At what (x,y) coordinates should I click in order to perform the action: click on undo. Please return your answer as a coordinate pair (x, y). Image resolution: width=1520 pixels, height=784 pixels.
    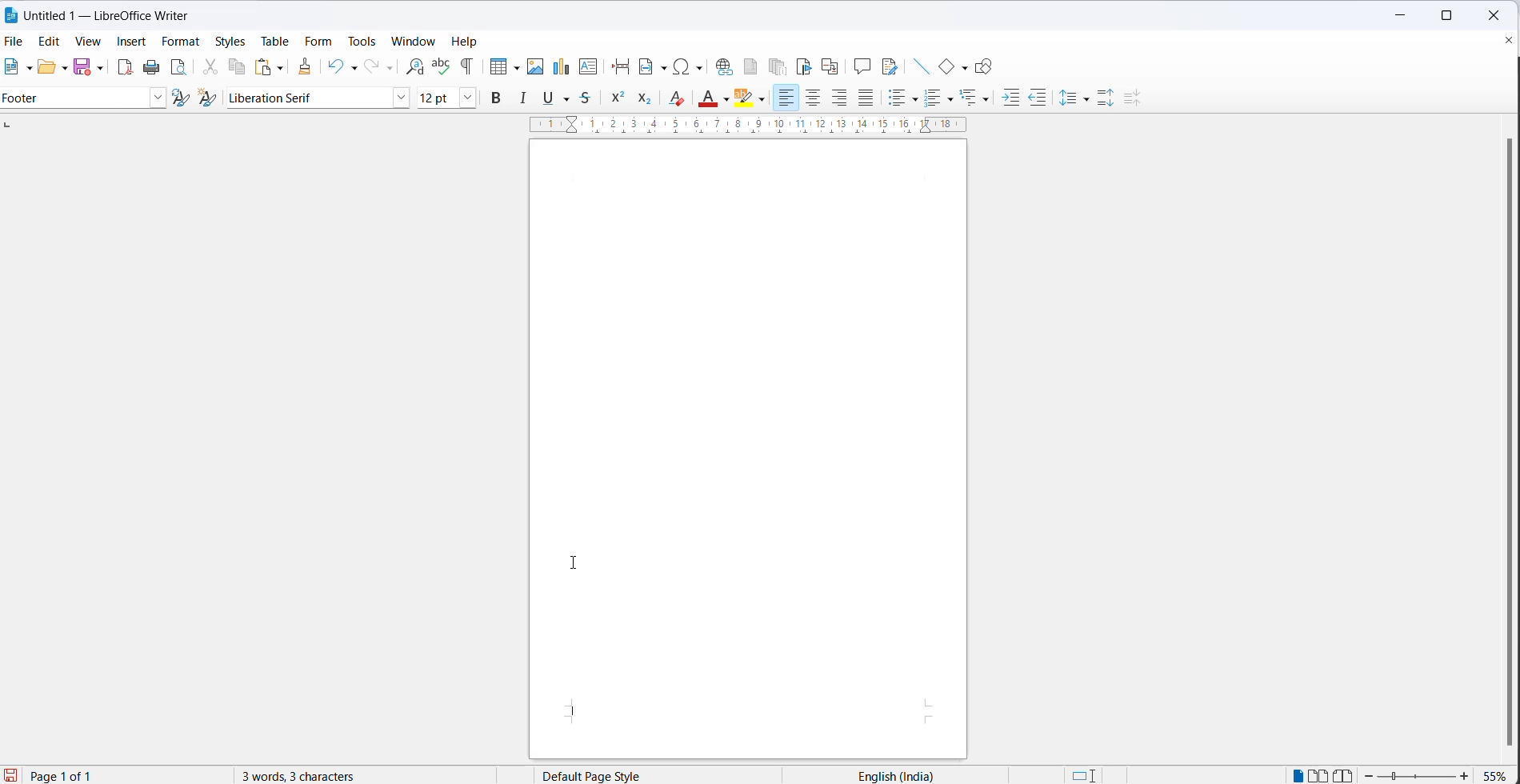
    Looking at the image, I should click on (333, 66).